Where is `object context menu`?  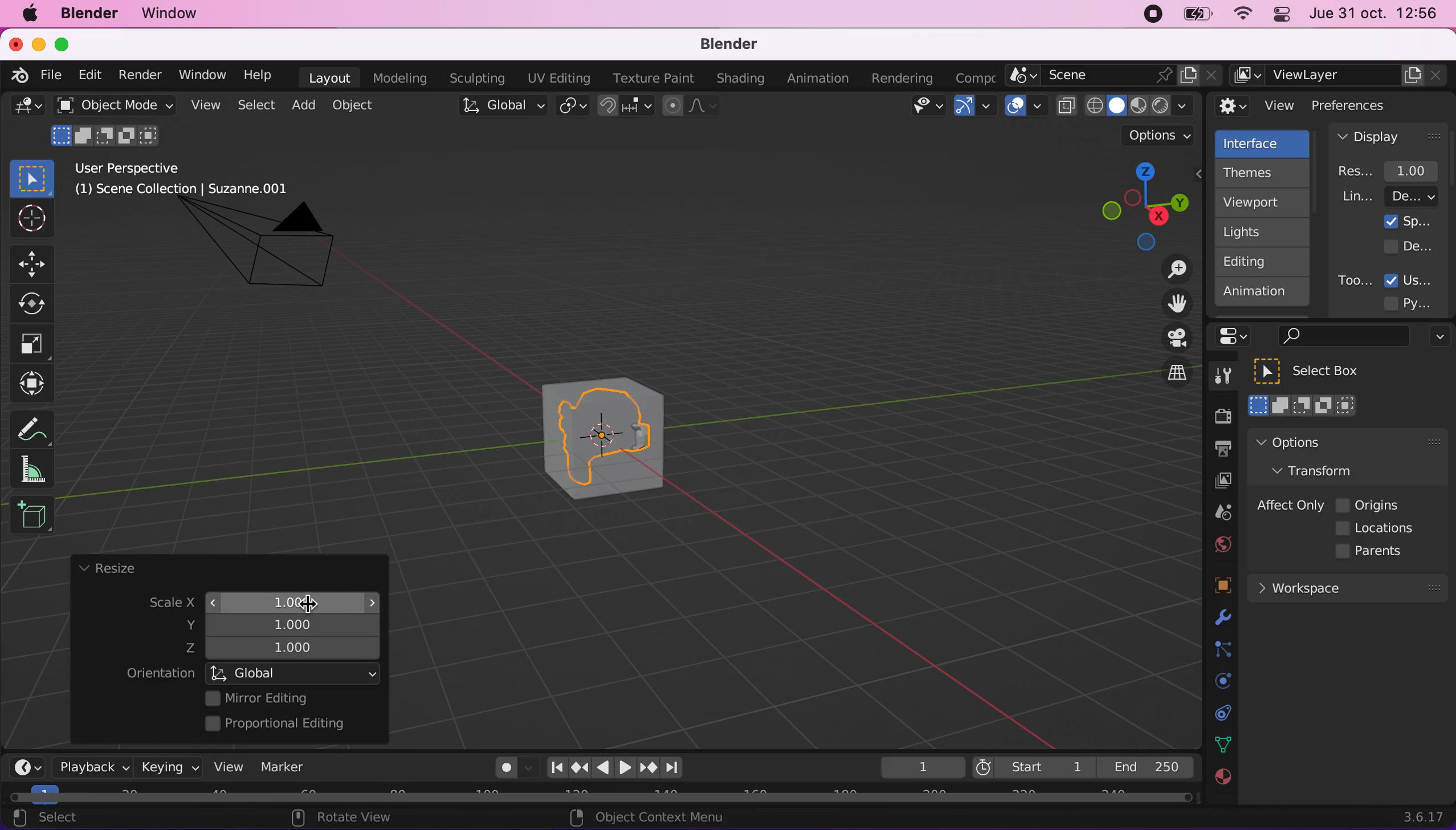
object context menu is located at coordinates (651, 817).